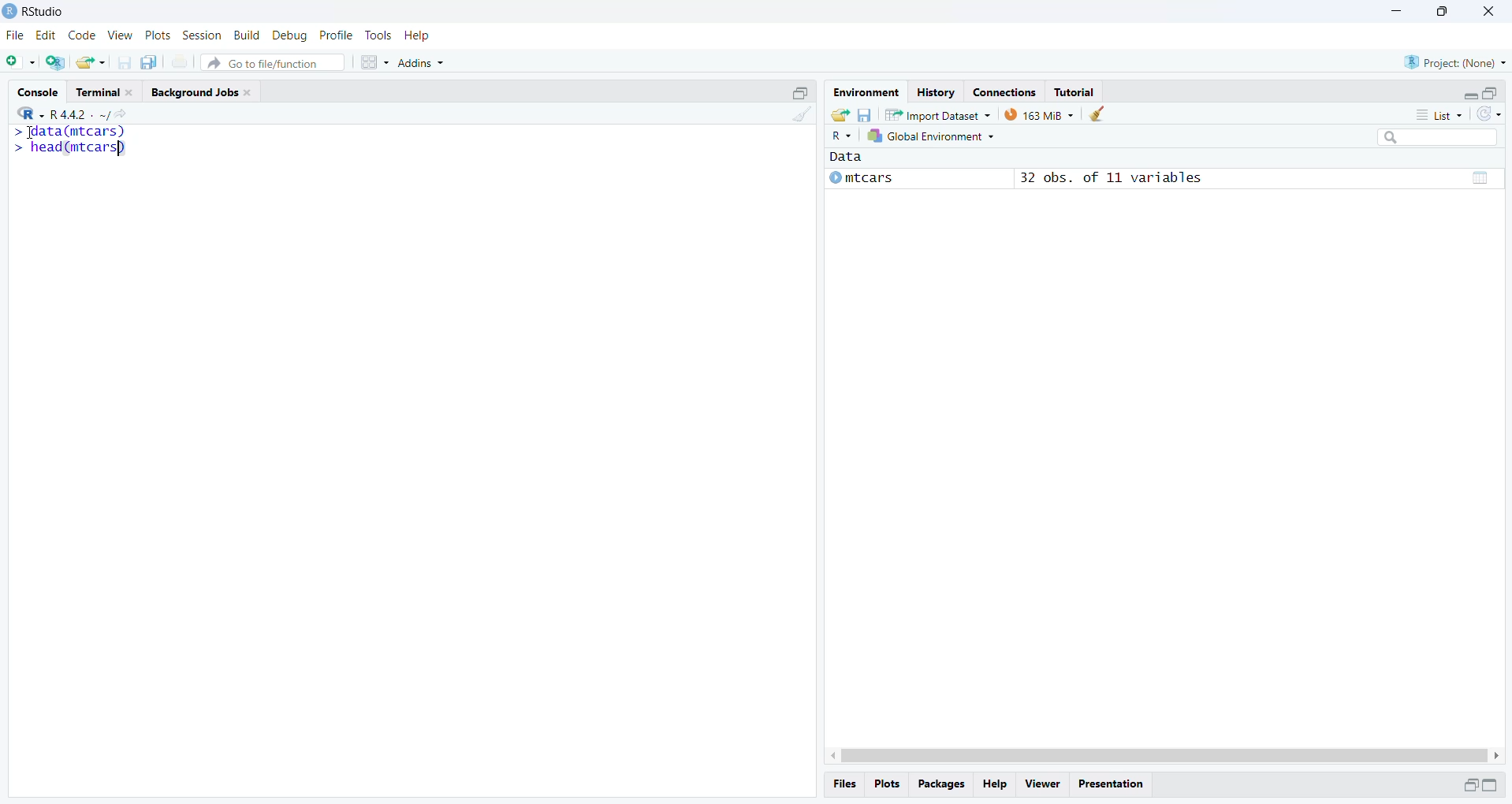 The height and width of the screenshot is (804, 1512). What do you see at coordinates (21, 61) in the screenshot?
I see `add file as` at bounding box center [21, 61].